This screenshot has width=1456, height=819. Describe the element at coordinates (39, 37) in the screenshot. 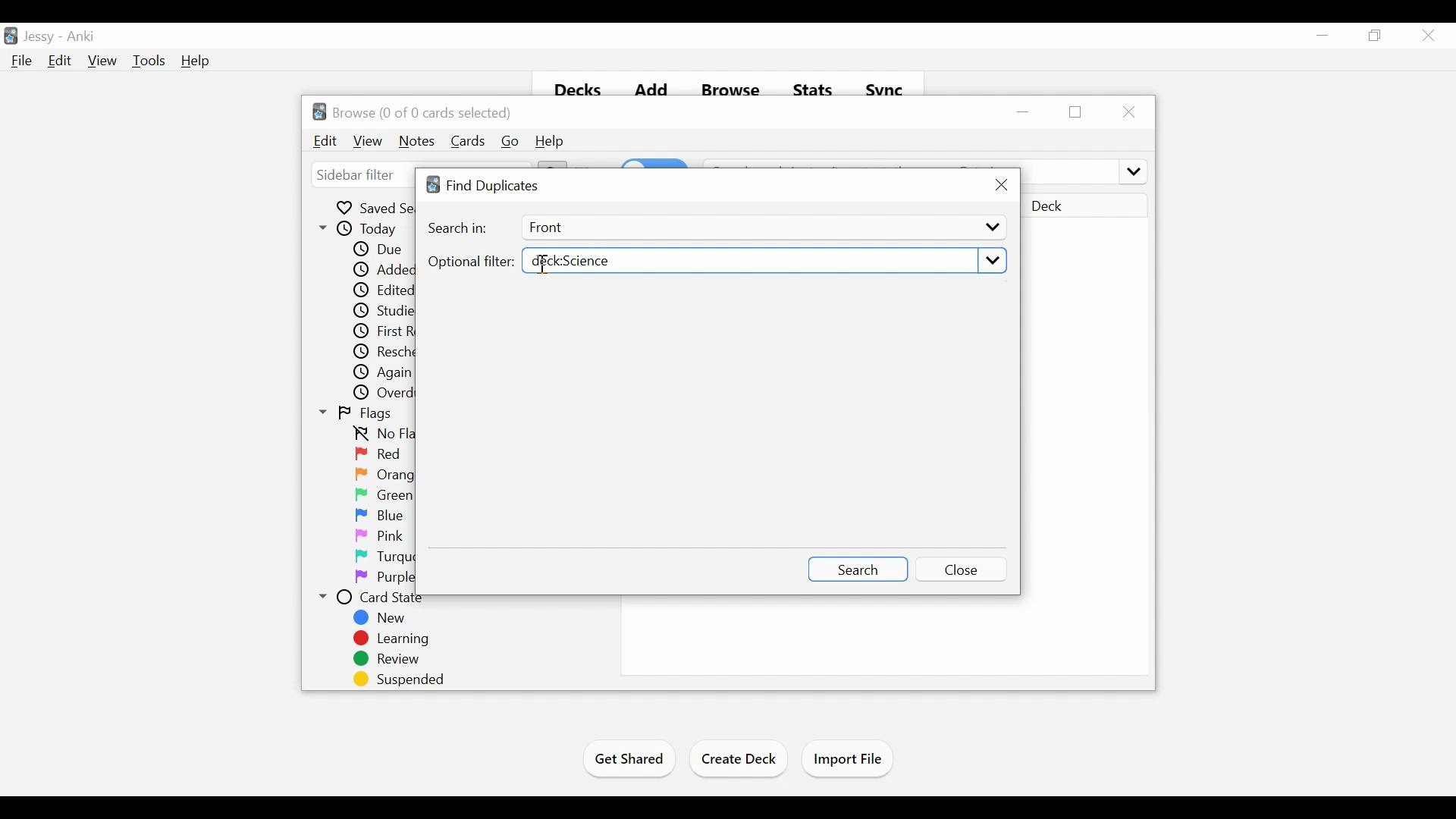

I see `User Profile` at that location.